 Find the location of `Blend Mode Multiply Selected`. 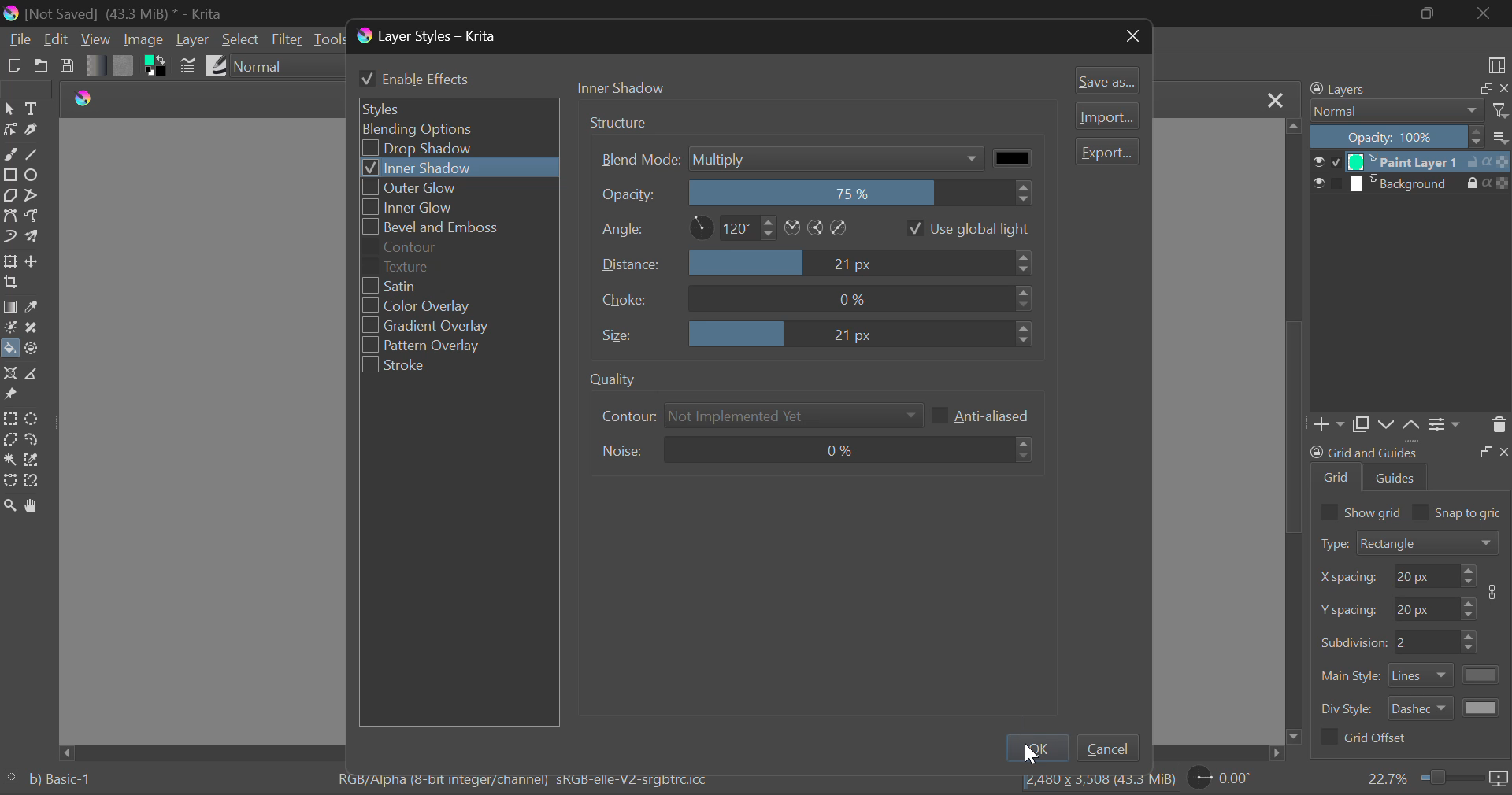

Blend Mode Multiply Selected is located at coordinates (818, 155).